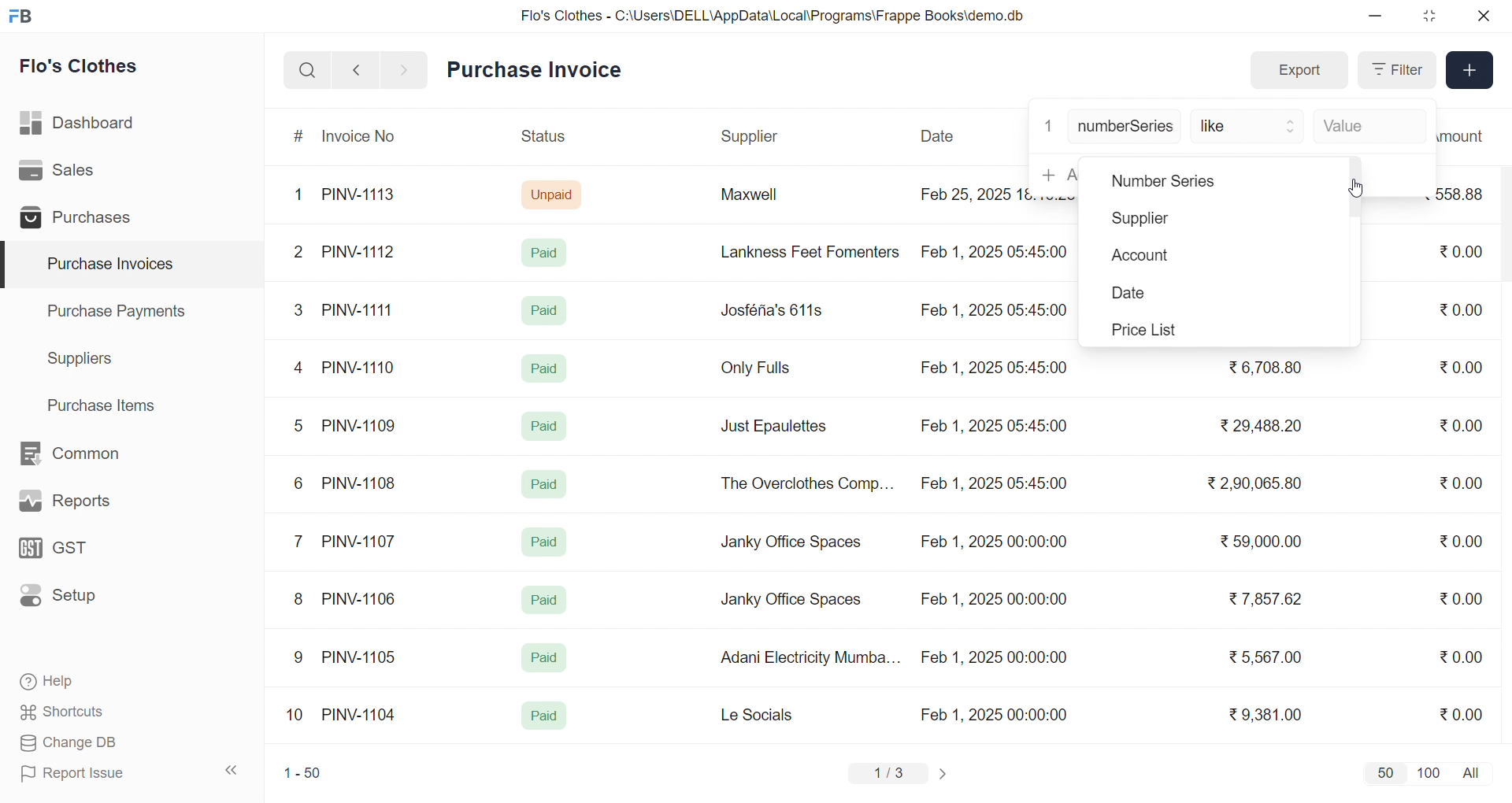 This screenshot has width=1512, height=803. What do you see at coordinates (780, 427) in the screenshot?
I see `Just Epaulettes` at bounding box center [780, 427].